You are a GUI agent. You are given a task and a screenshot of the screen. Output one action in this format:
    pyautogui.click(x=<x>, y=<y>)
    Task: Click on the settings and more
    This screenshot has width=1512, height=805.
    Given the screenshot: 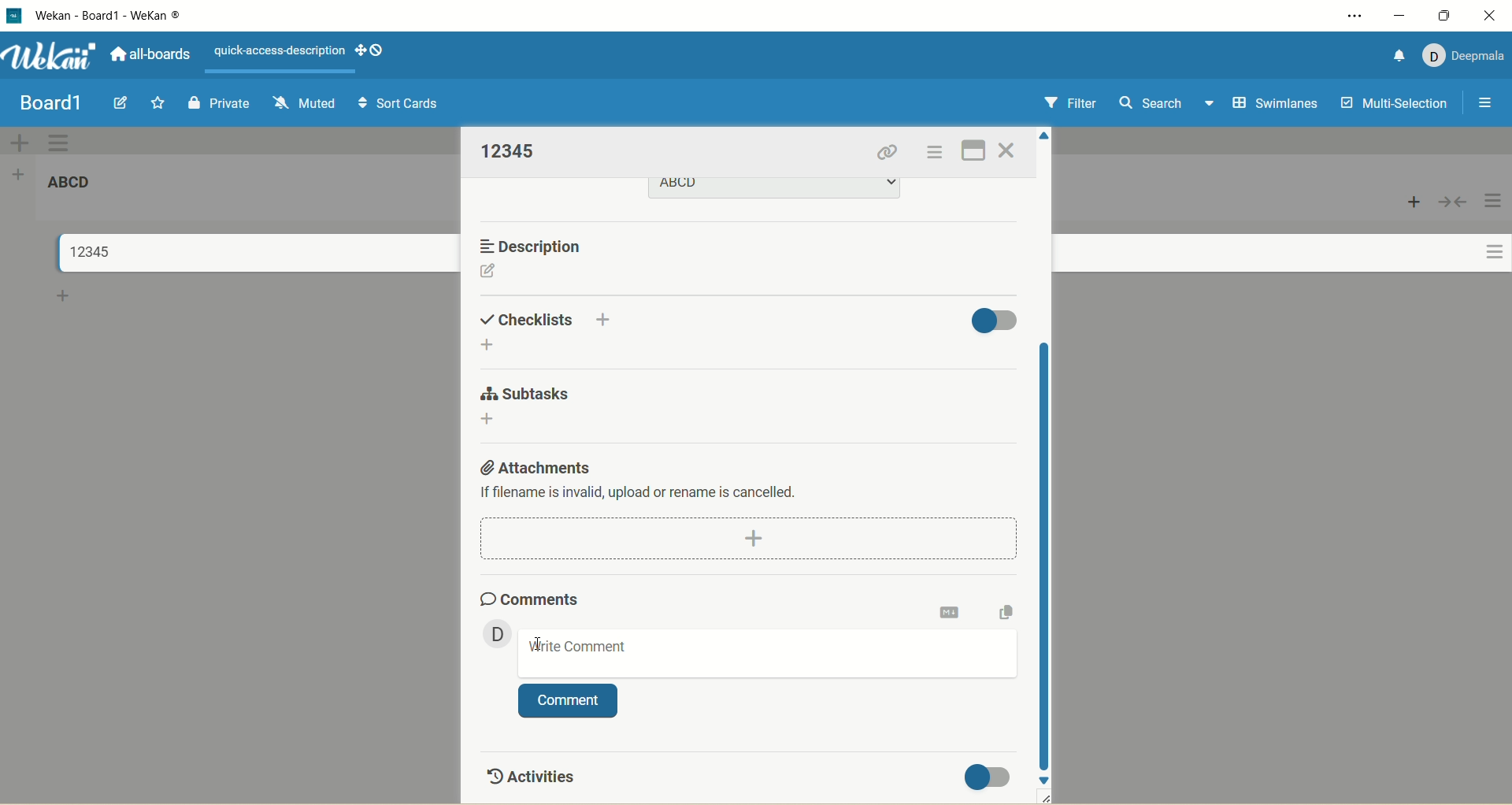 What is the action you would take?
    pyautogui.click(x=1359, y=17)
    